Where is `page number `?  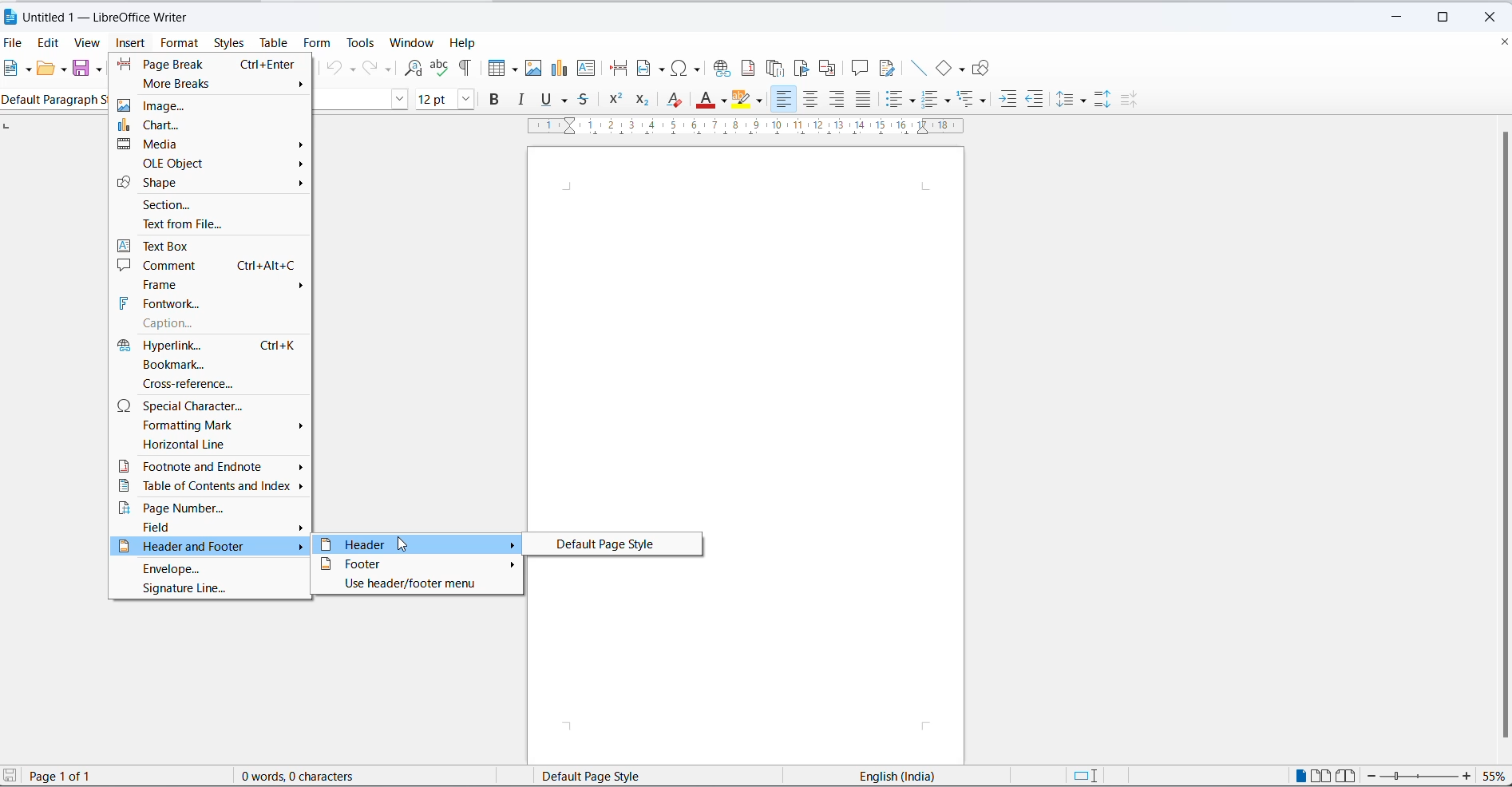 page number  is located at coordinates (210, 512).